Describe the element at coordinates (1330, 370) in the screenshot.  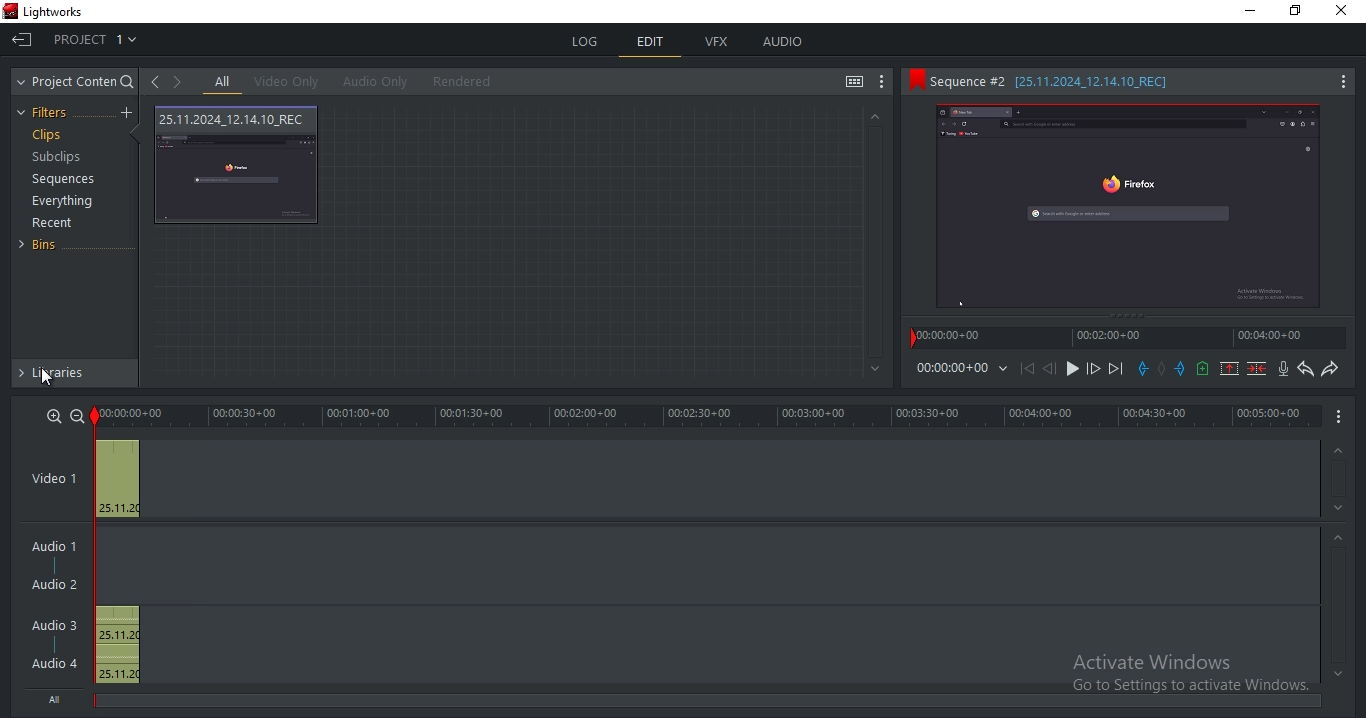
I see `redo` at that location.